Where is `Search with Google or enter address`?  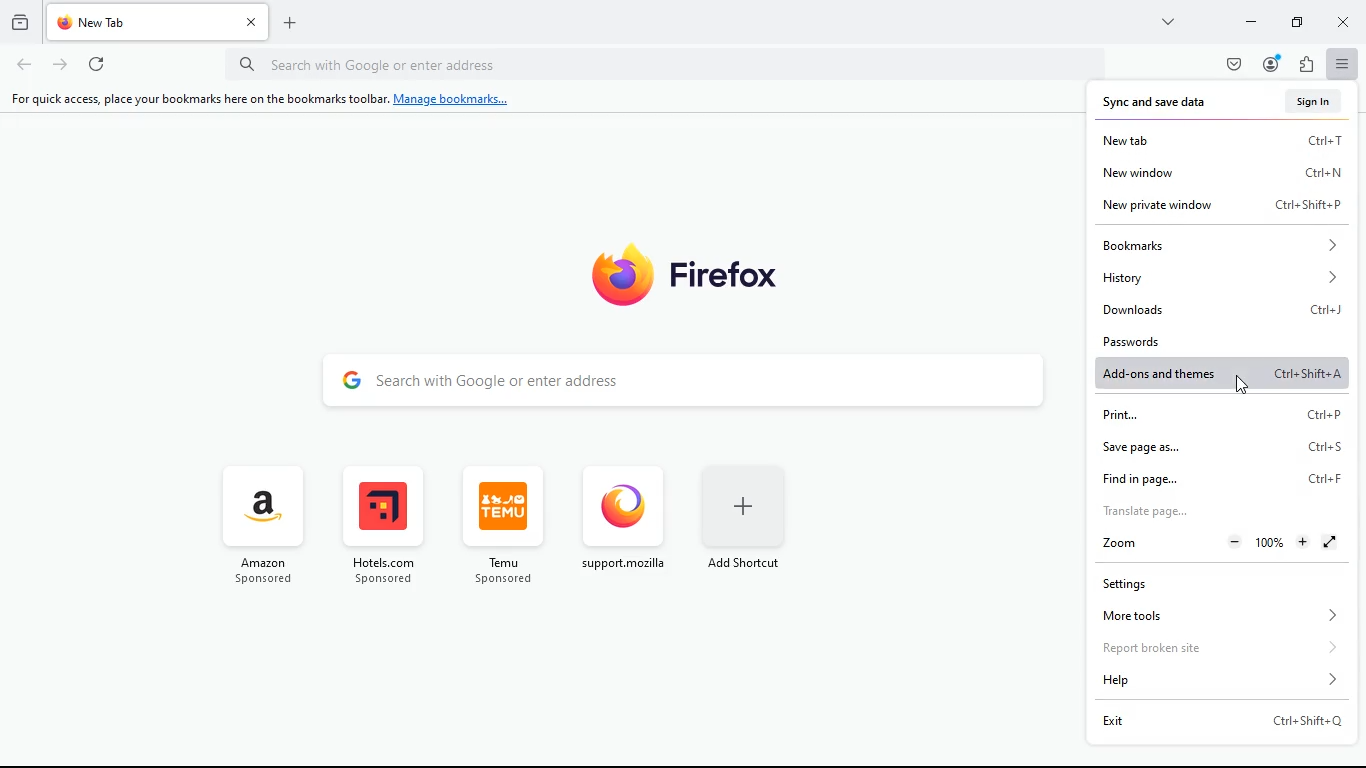 Search with Google or enter address is located at coordinates (686, 378).